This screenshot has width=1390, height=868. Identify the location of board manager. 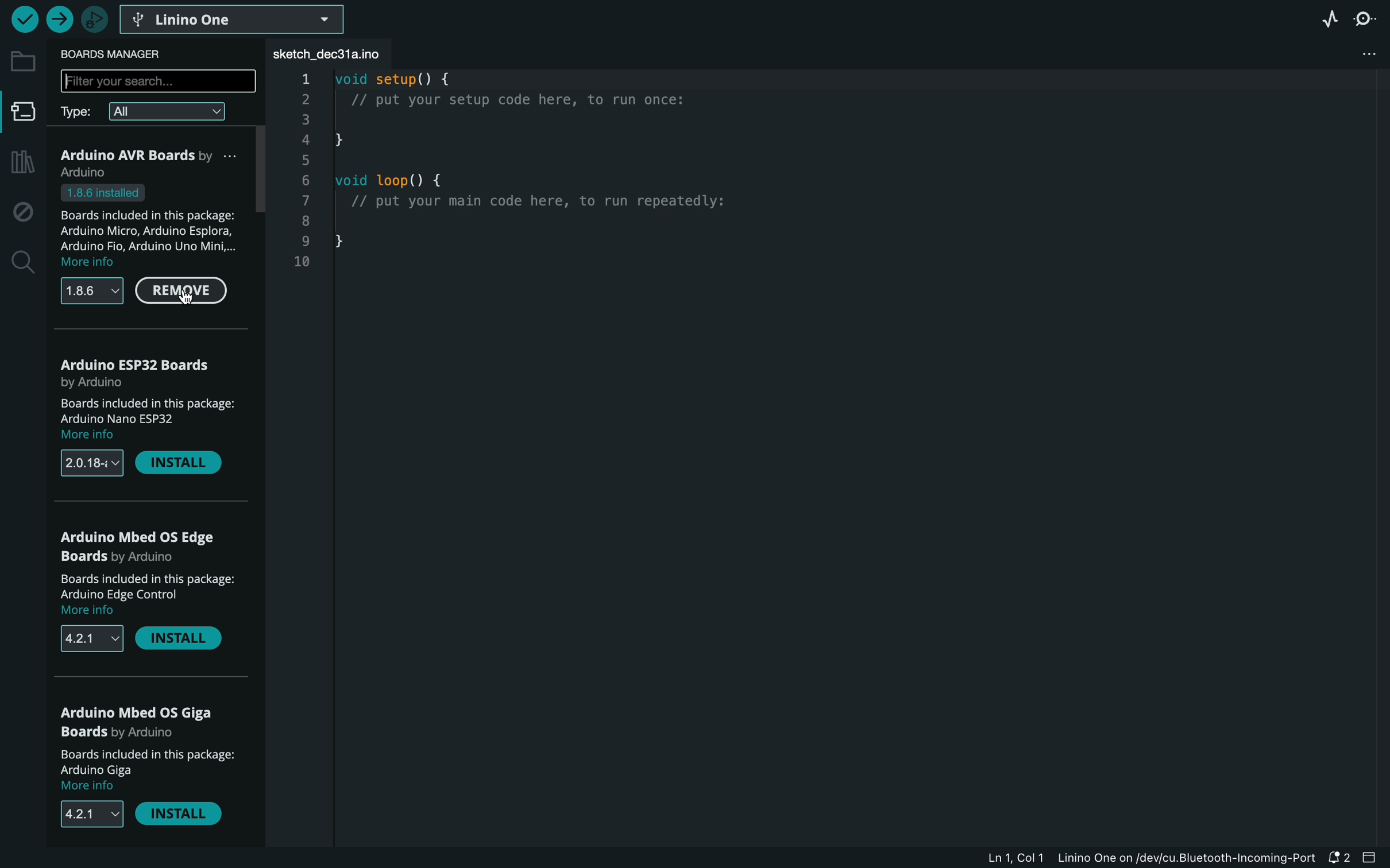
(21, 112).